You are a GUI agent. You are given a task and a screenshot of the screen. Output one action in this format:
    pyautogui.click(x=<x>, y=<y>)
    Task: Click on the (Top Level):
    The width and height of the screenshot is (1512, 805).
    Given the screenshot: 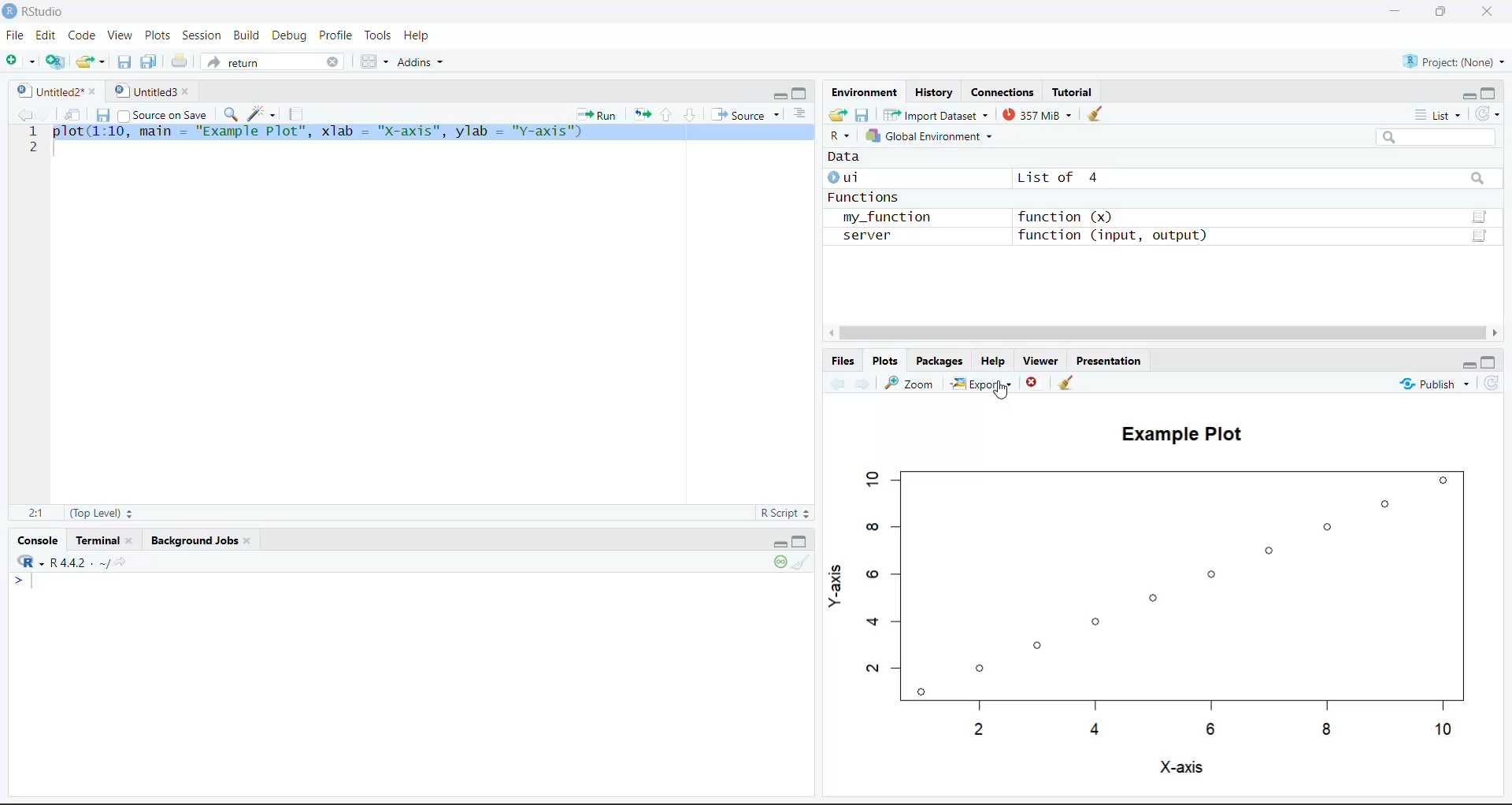 What is the action you would take?
    pyautogui.click(x=99, y=512)
    